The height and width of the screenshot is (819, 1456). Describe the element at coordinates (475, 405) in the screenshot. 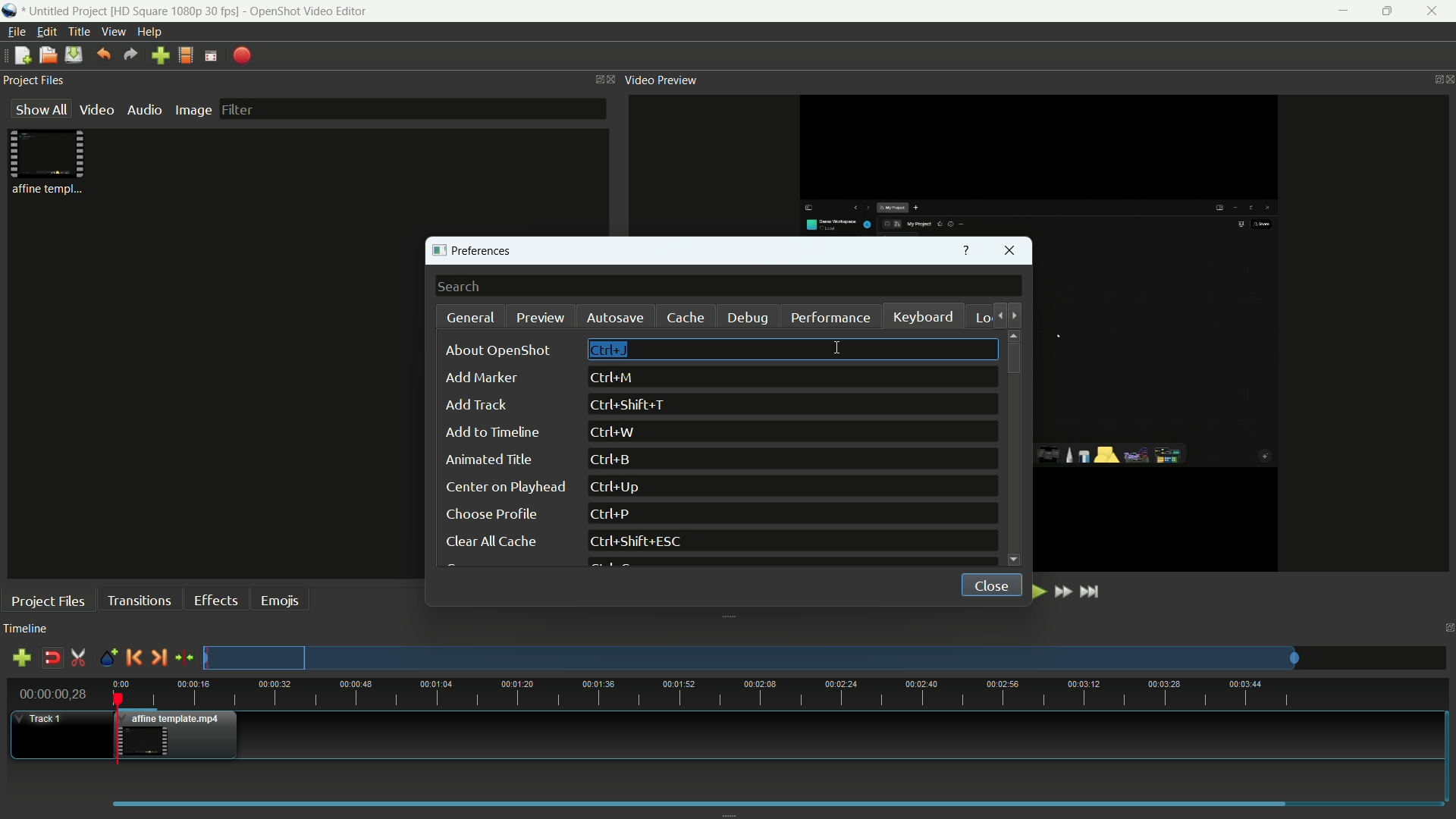

I see `dd track` at that location.